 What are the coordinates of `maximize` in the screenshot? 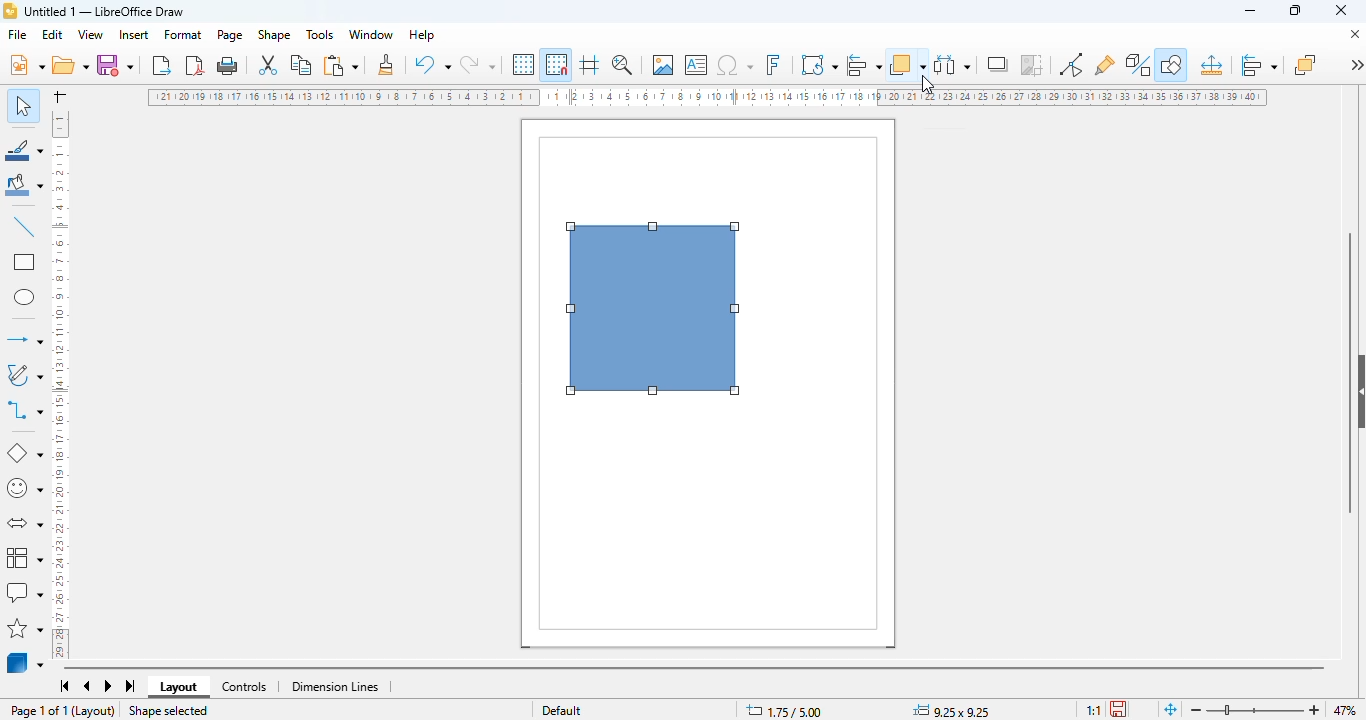 It's located at (1295, 10).